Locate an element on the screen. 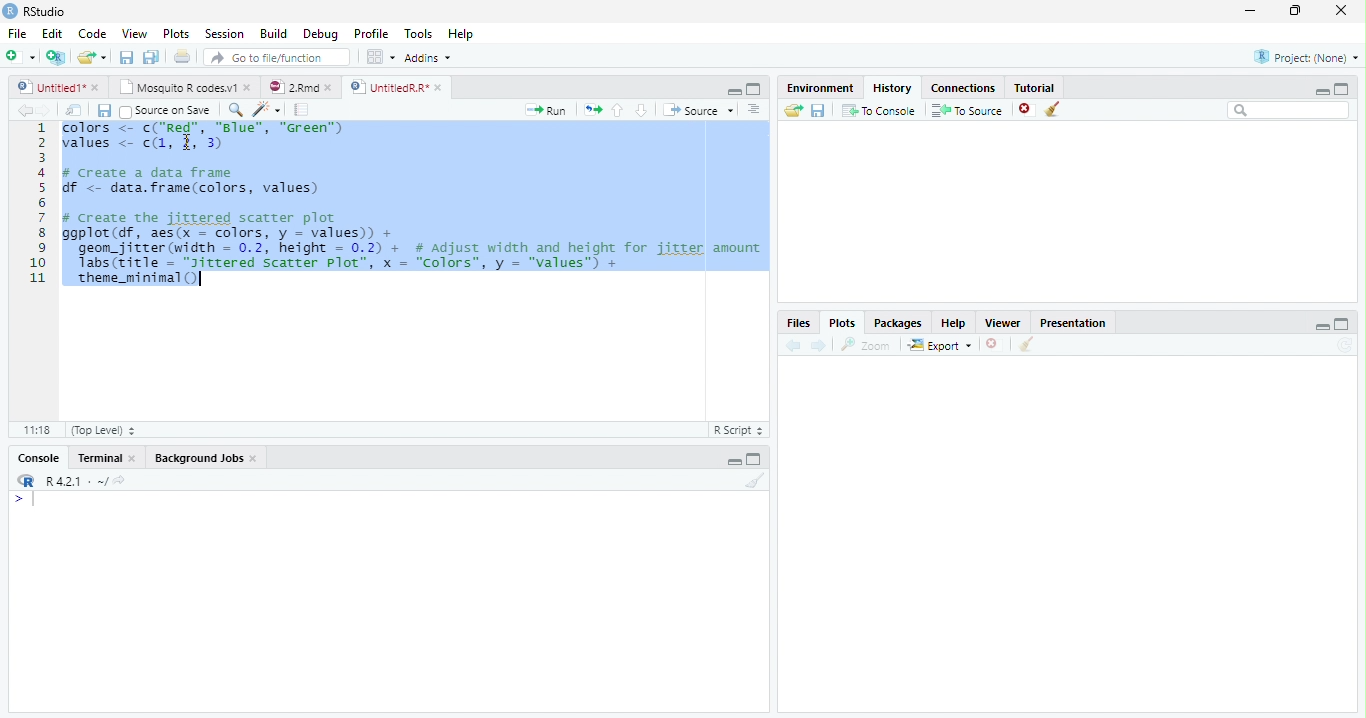  close is located at coordinates (254, 458).